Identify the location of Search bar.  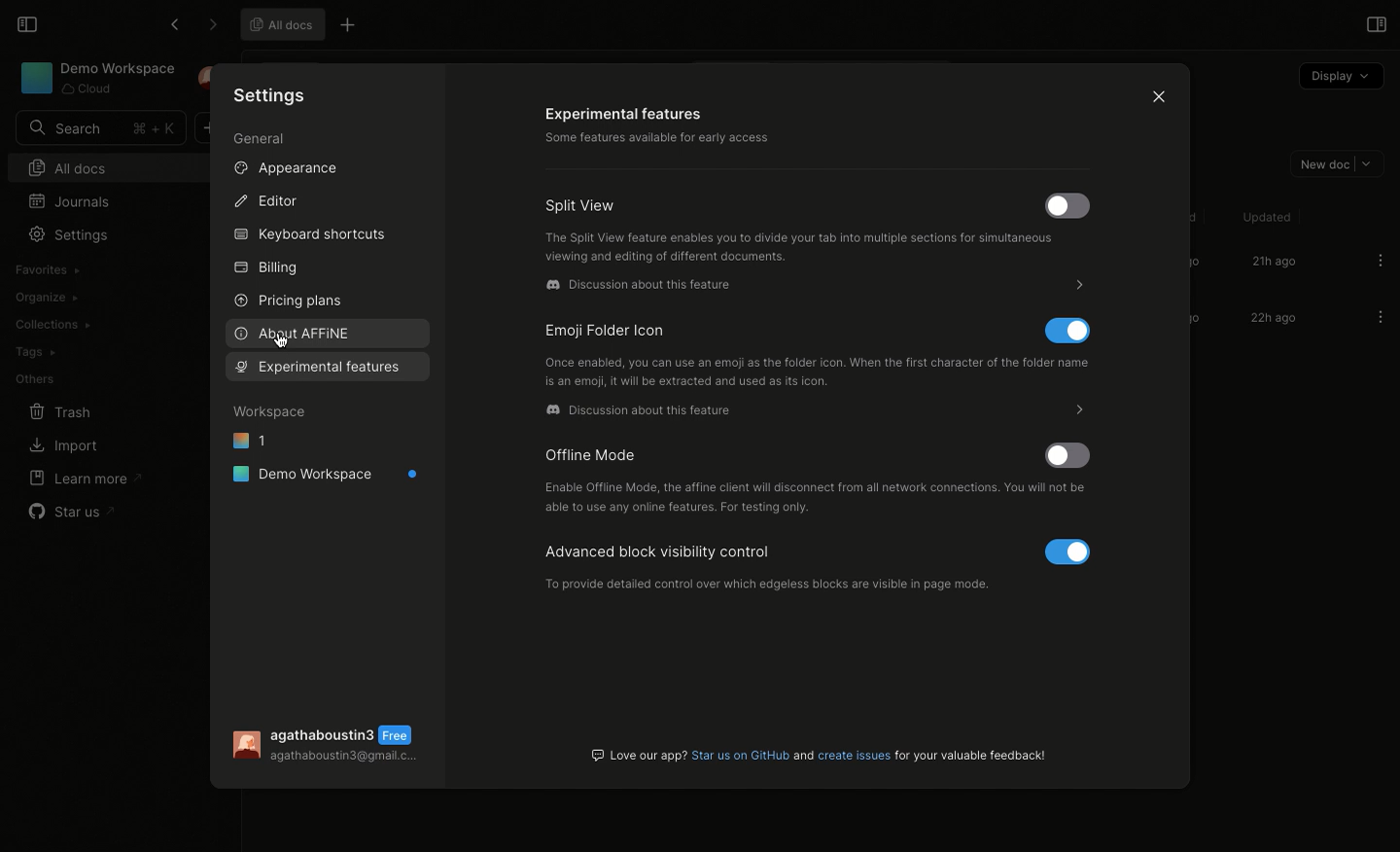
(98, 128).